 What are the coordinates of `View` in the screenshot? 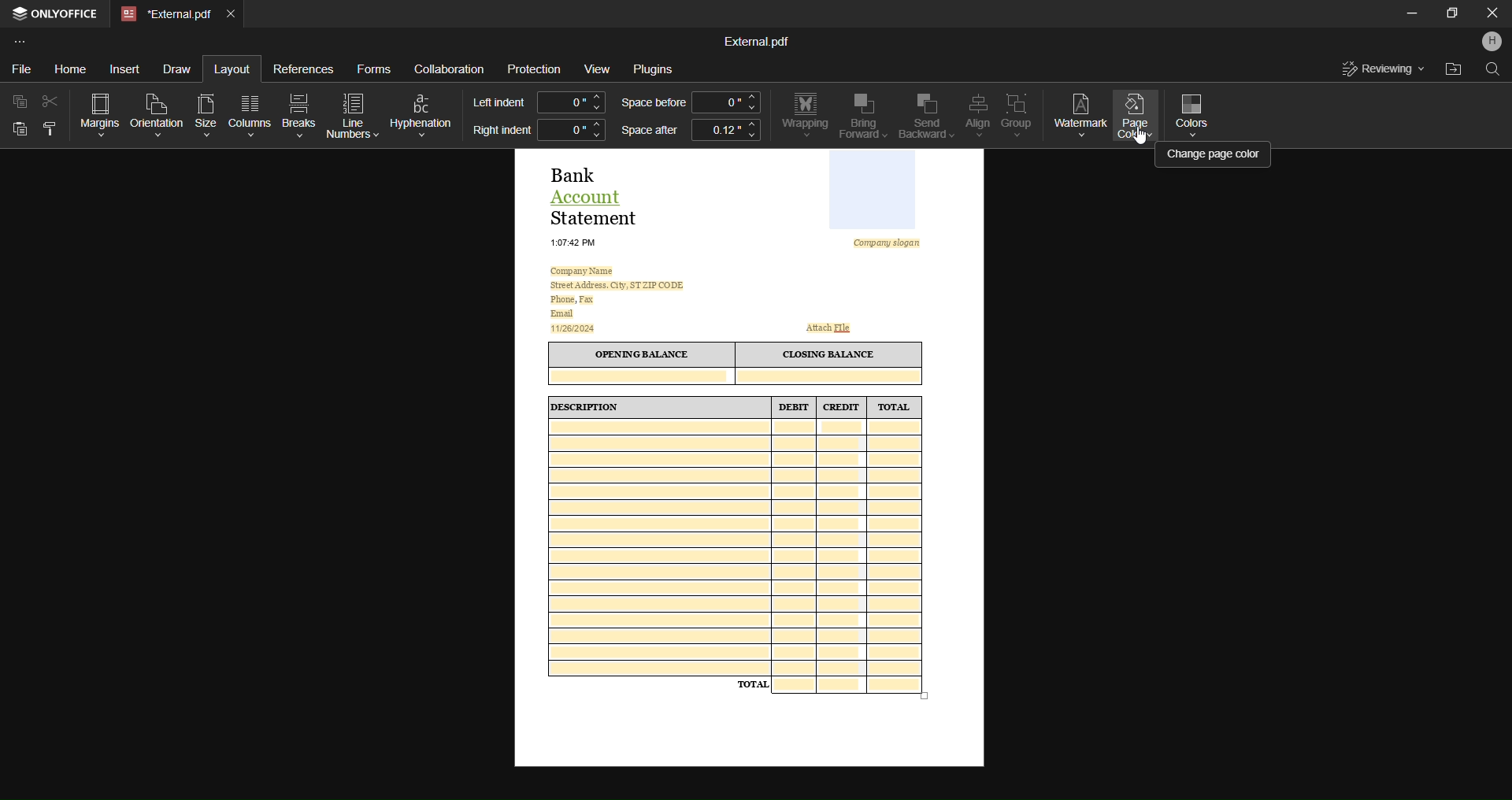 It's located at (596, 68).